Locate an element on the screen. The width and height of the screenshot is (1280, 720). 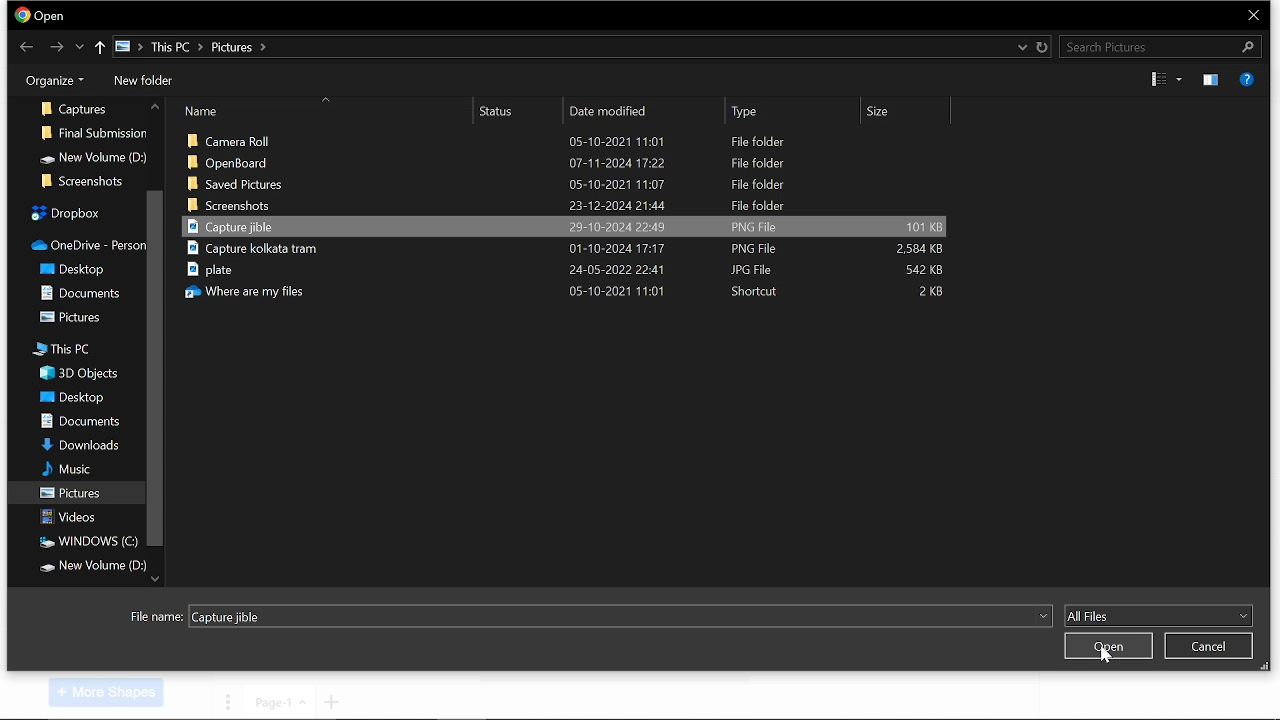
files is located at coordinates (568, 270).